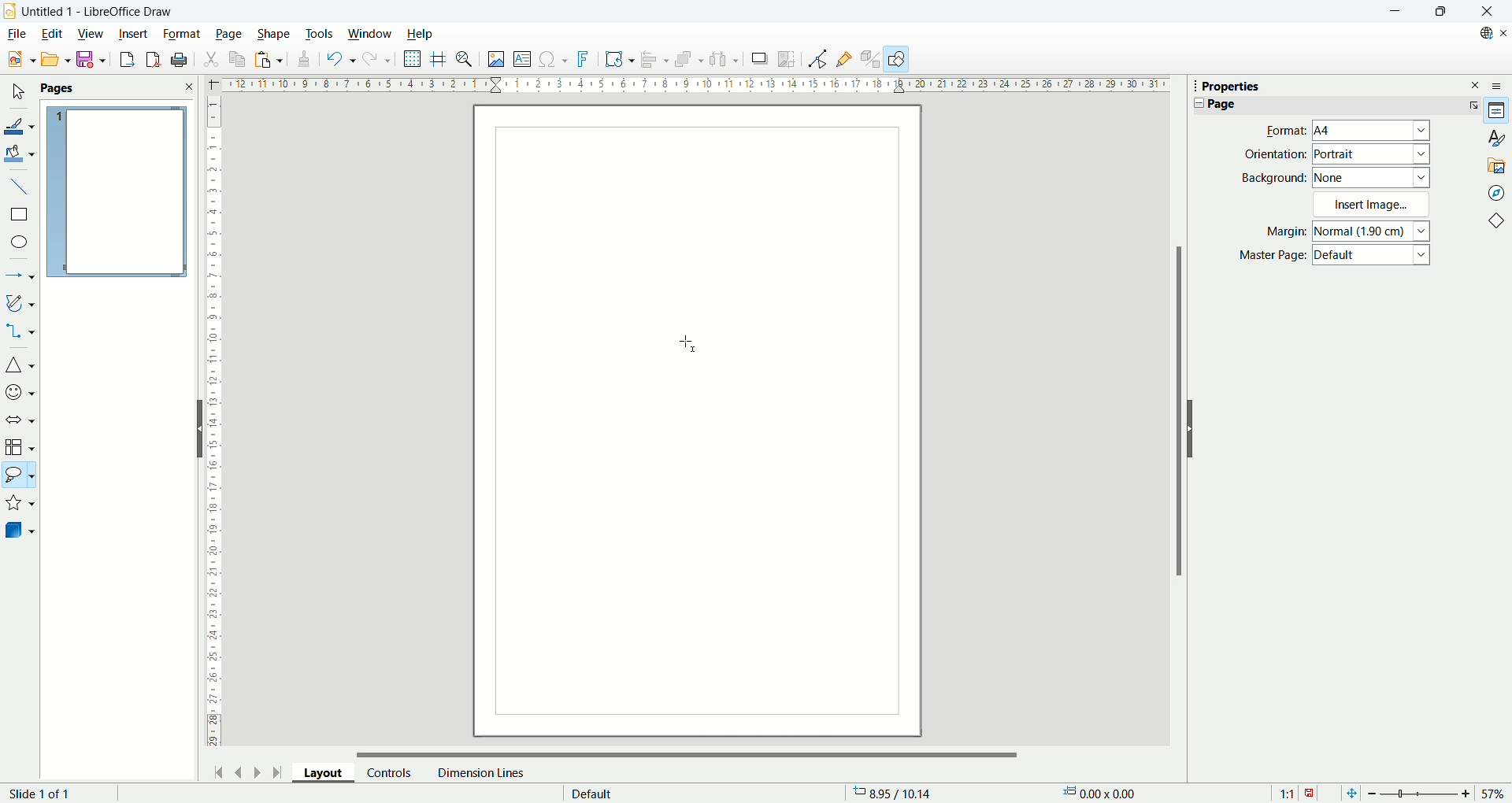  I want to click on select, so click(17, 93).